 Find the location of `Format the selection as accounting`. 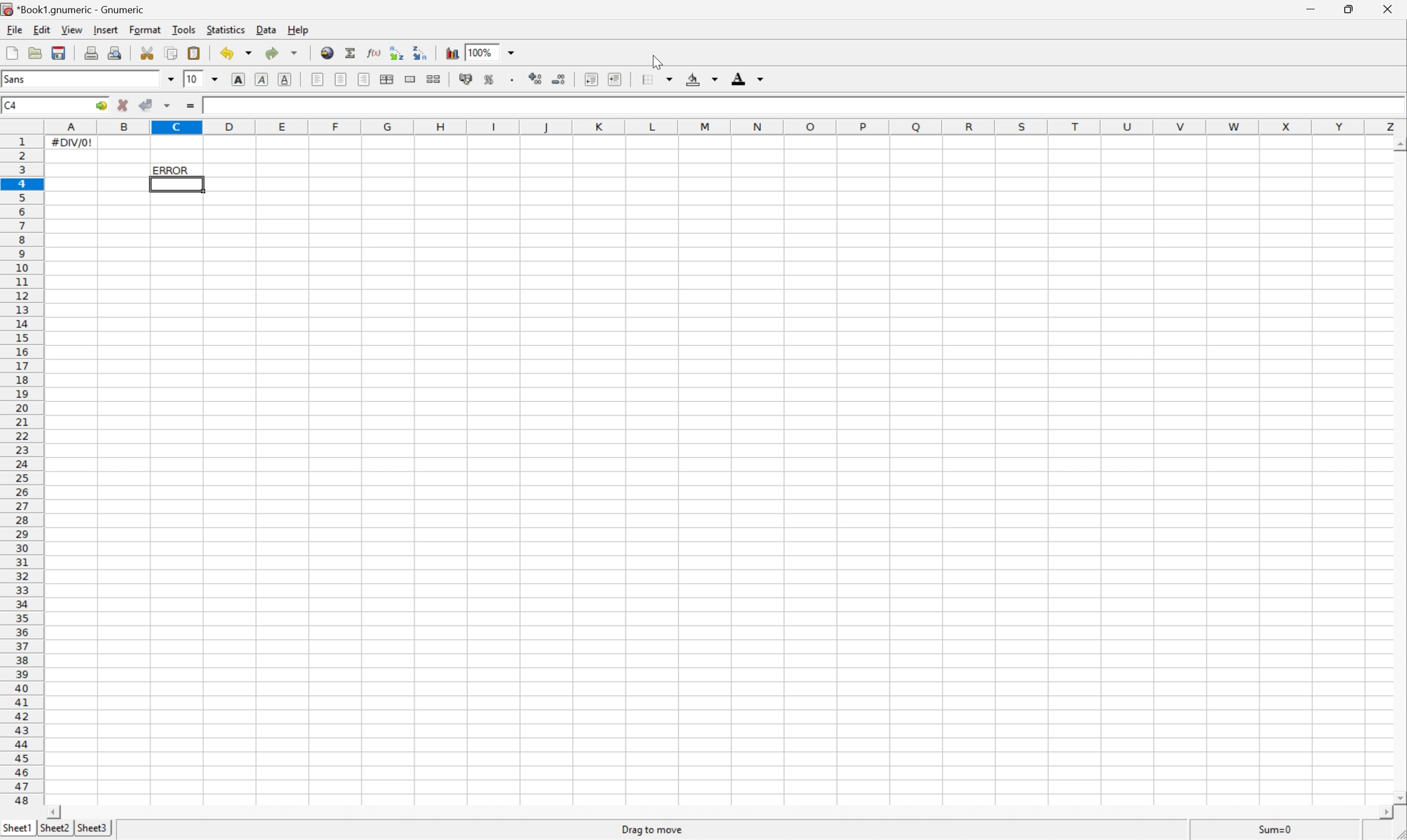

Format the selection as accounting is located at coordinates (465, 79).